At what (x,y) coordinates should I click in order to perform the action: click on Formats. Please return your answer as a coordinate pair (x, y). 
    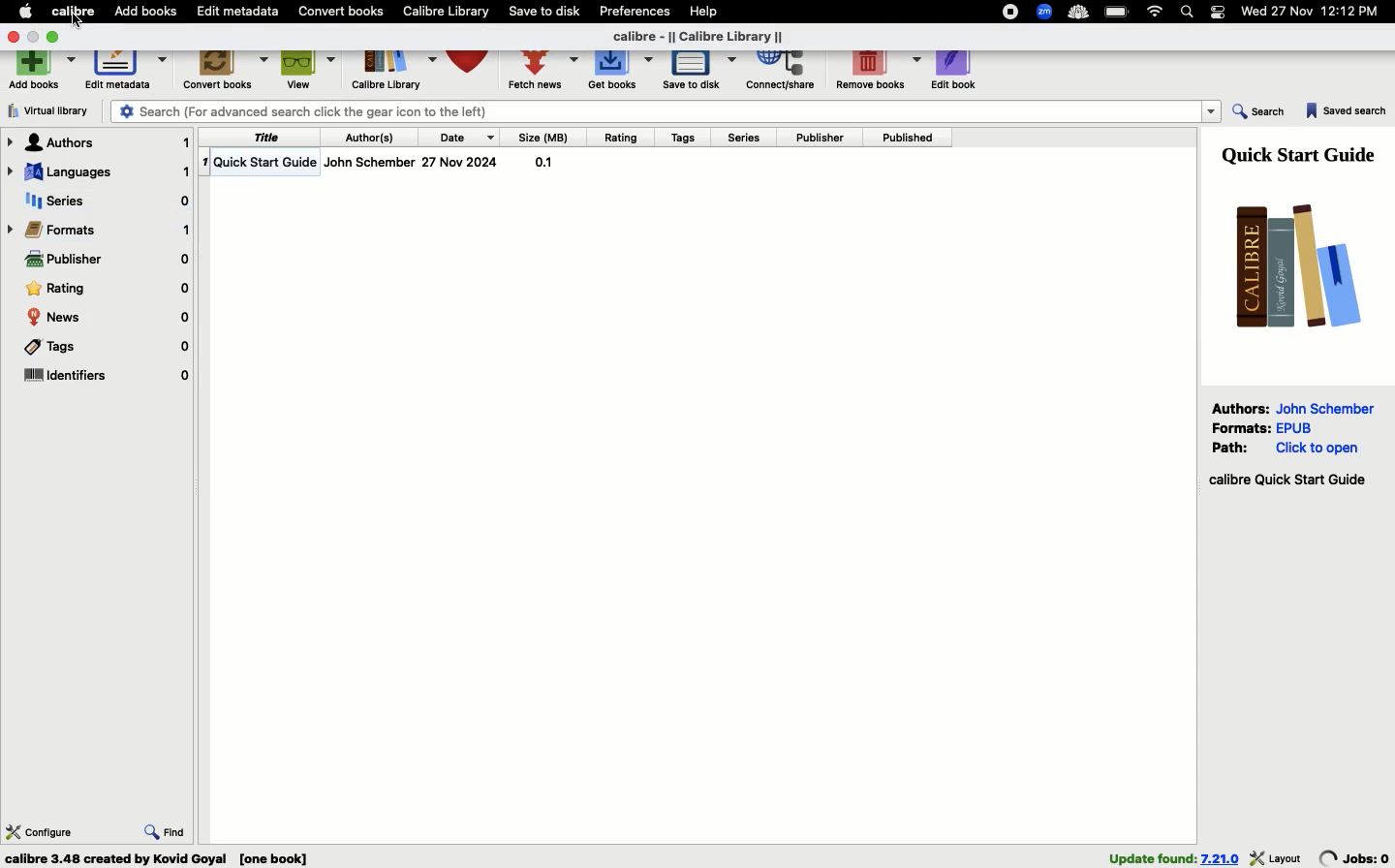
    Looking at the image, I should click on (100, 230).